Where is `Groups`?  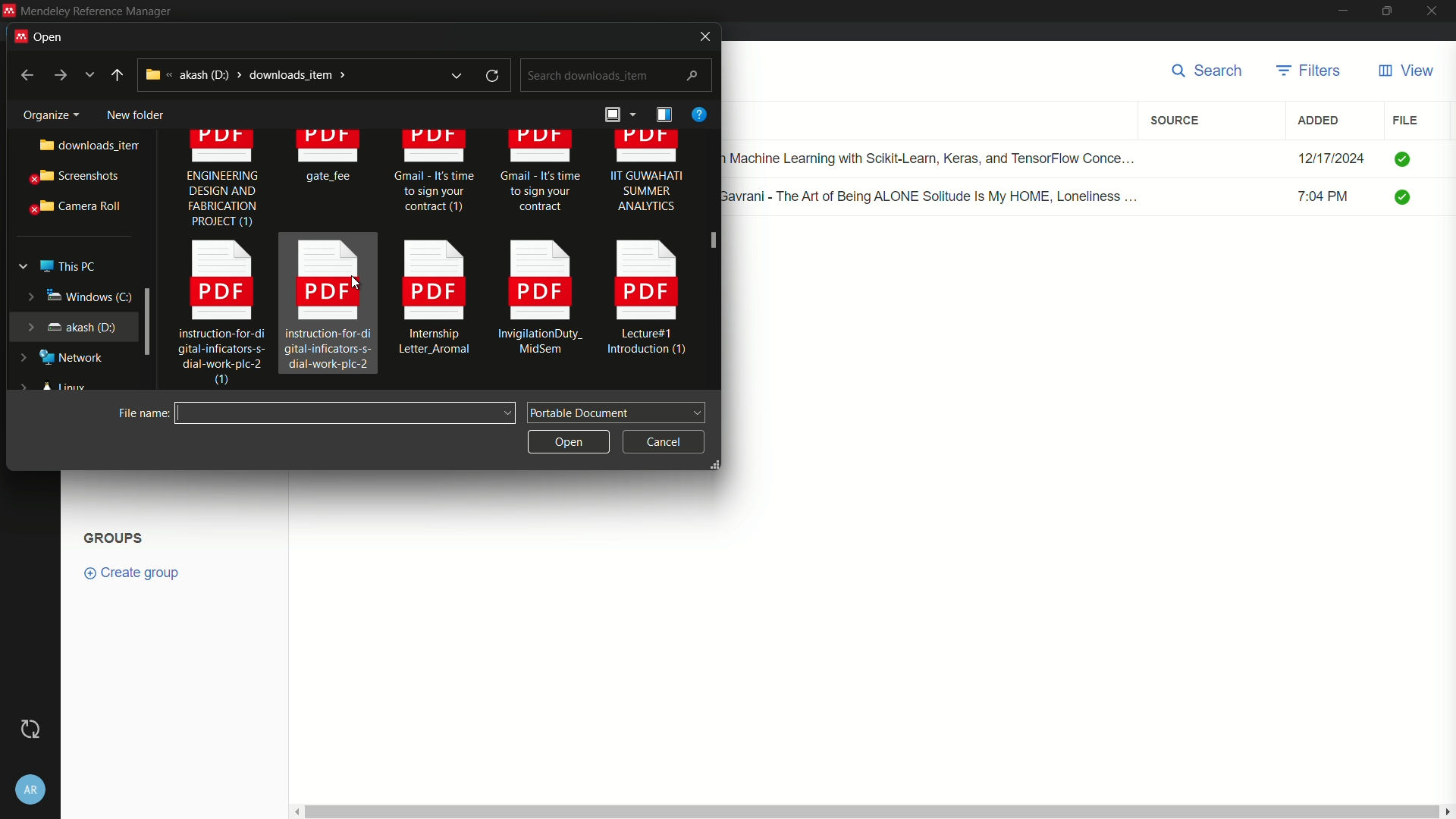 Groups is located at coordinates (116, 536).